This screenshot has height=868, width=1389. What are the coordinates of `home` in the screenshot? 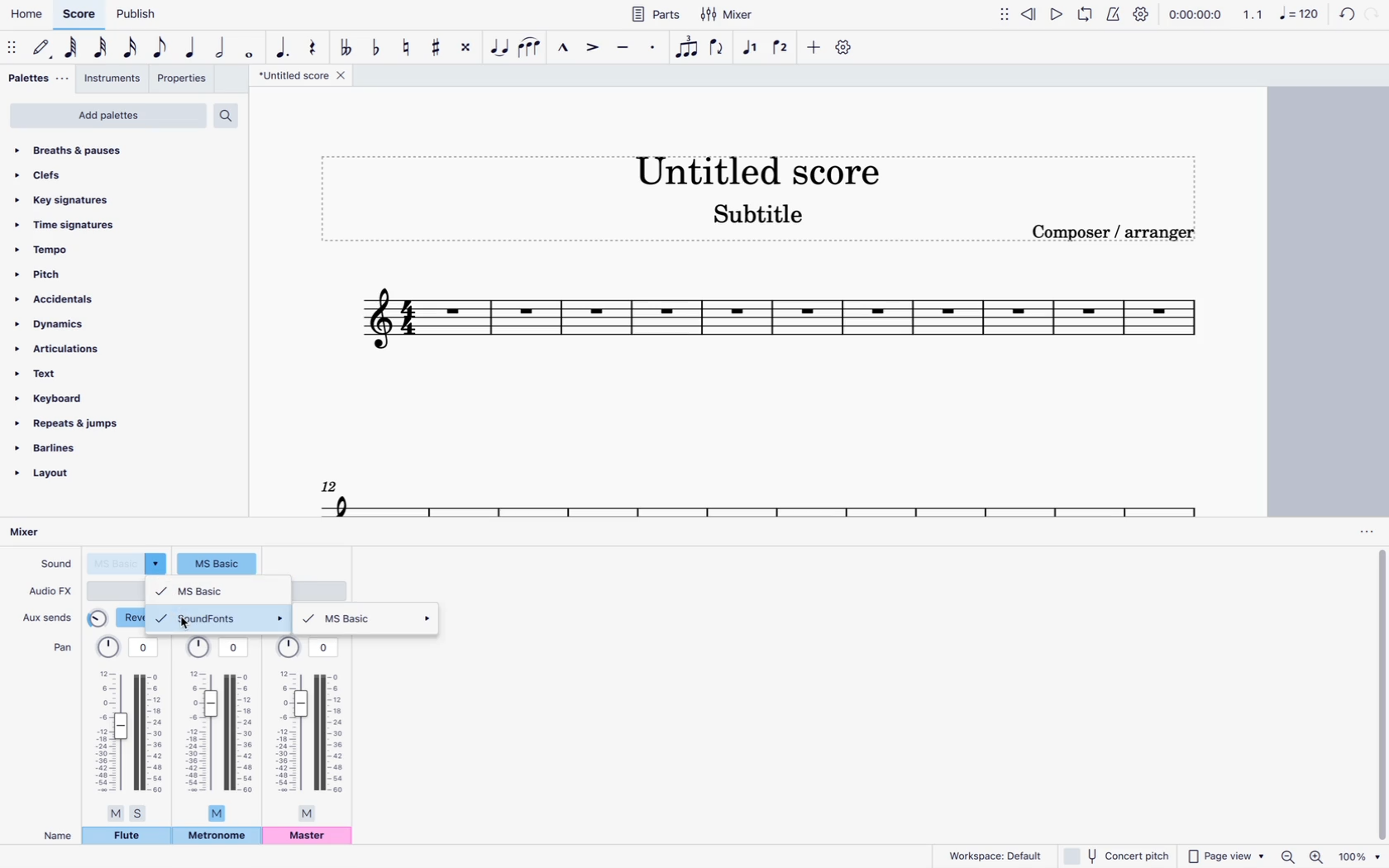 It's located at (25, 14).